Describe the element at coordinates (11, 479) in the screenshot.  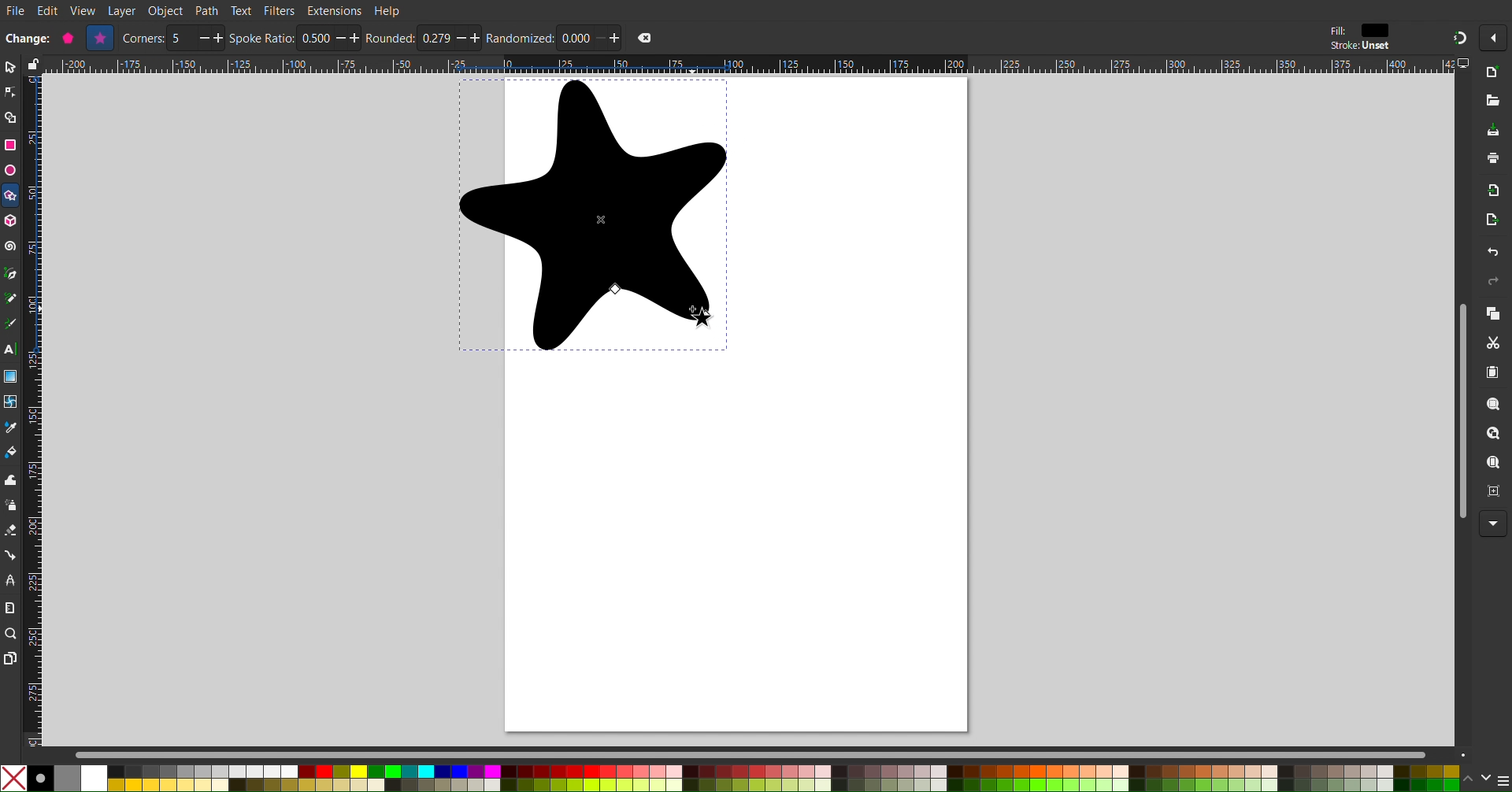
I see `Tweak Tool` at that location.